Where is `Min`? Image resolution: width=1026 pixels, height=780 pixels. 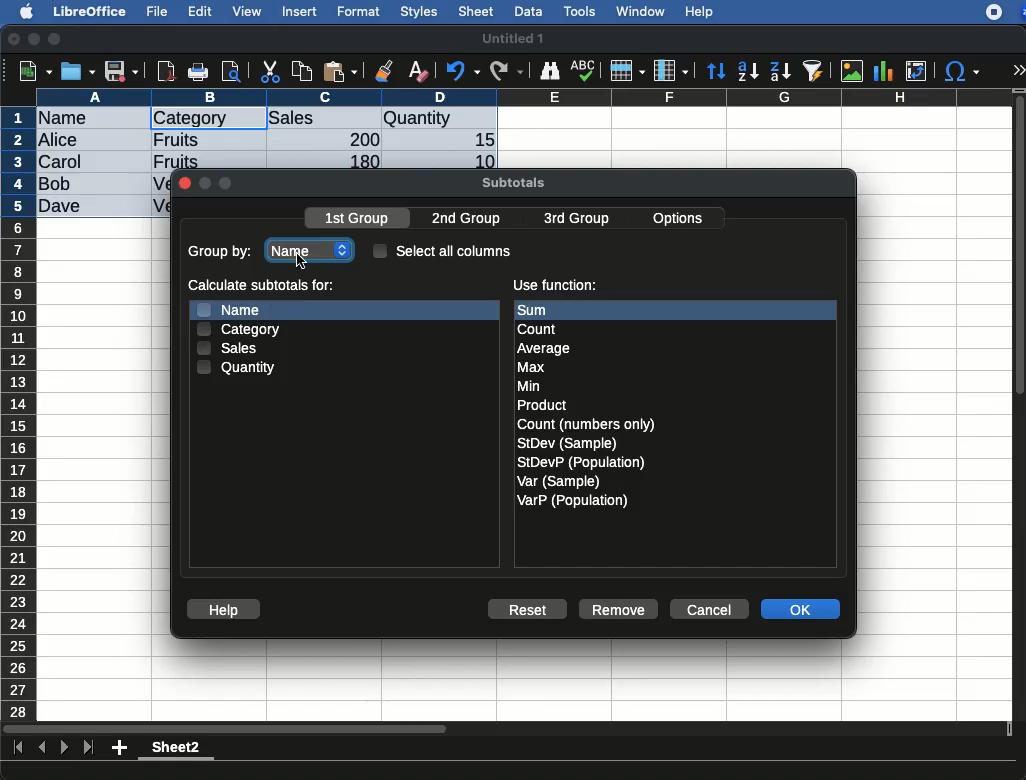 Min is located at coordinates (529, 386).